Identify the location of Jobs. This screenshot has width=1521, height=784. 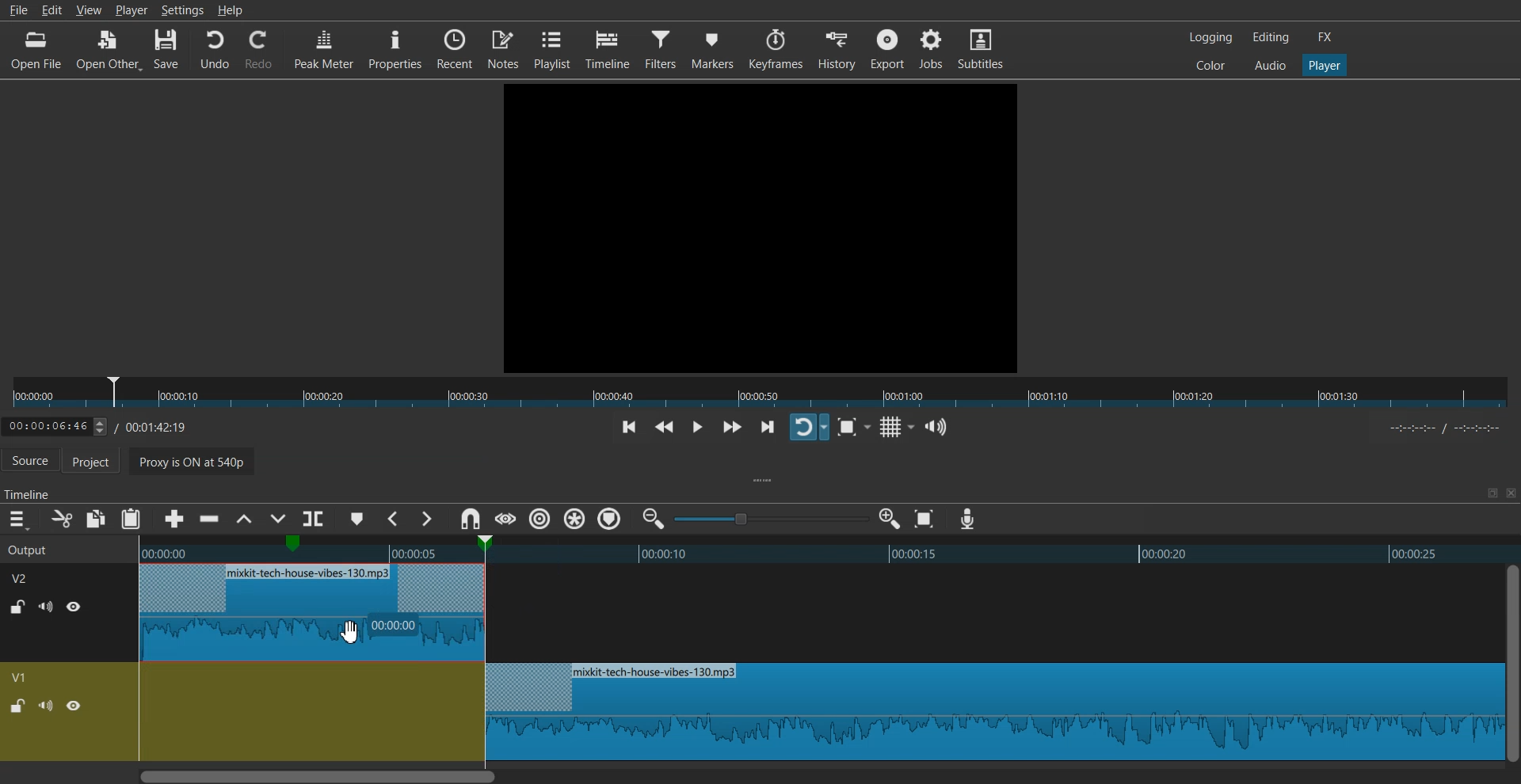
(930, 48).